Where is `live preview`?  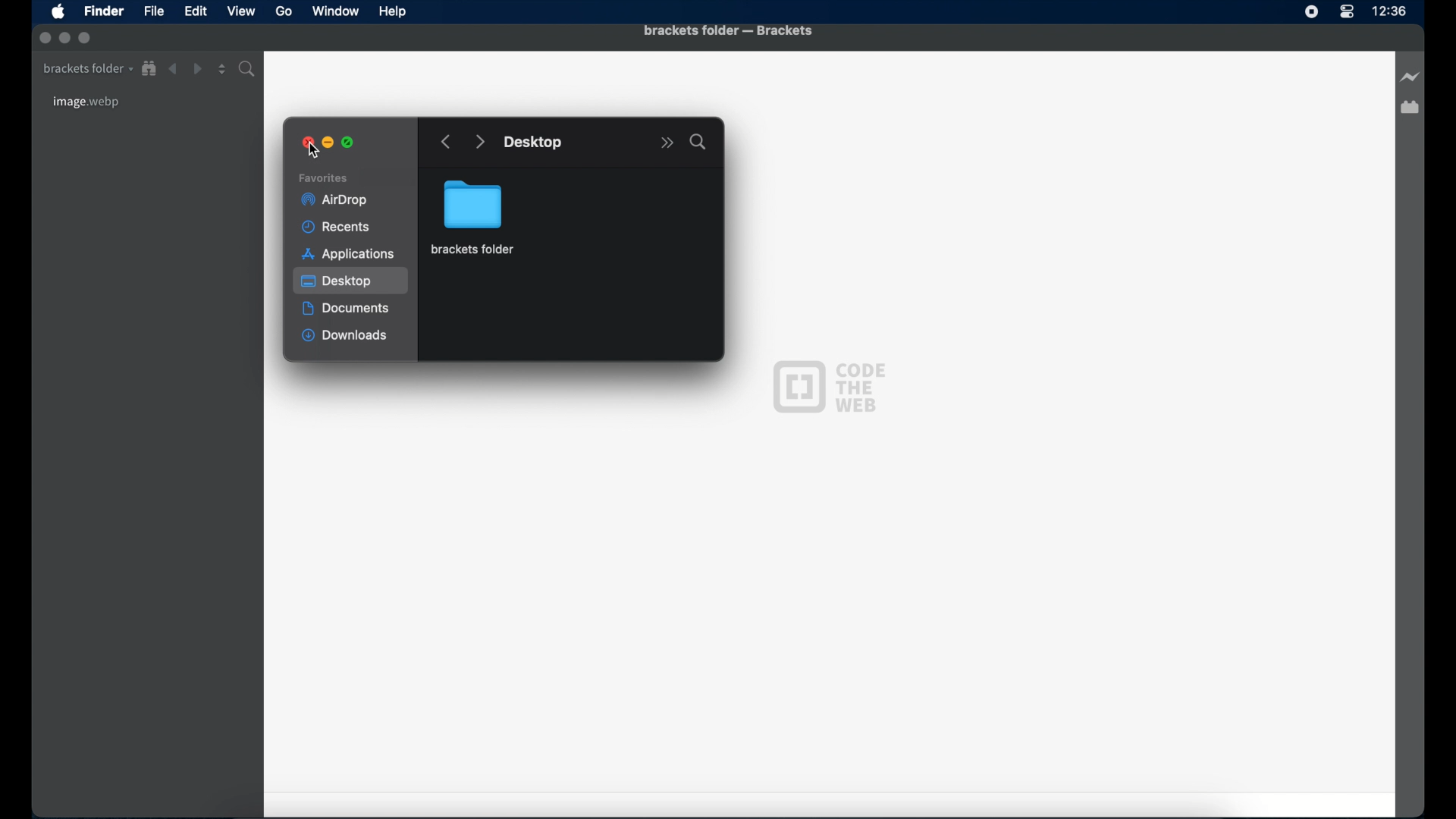 live preview is located at coordinates (1410, 77).